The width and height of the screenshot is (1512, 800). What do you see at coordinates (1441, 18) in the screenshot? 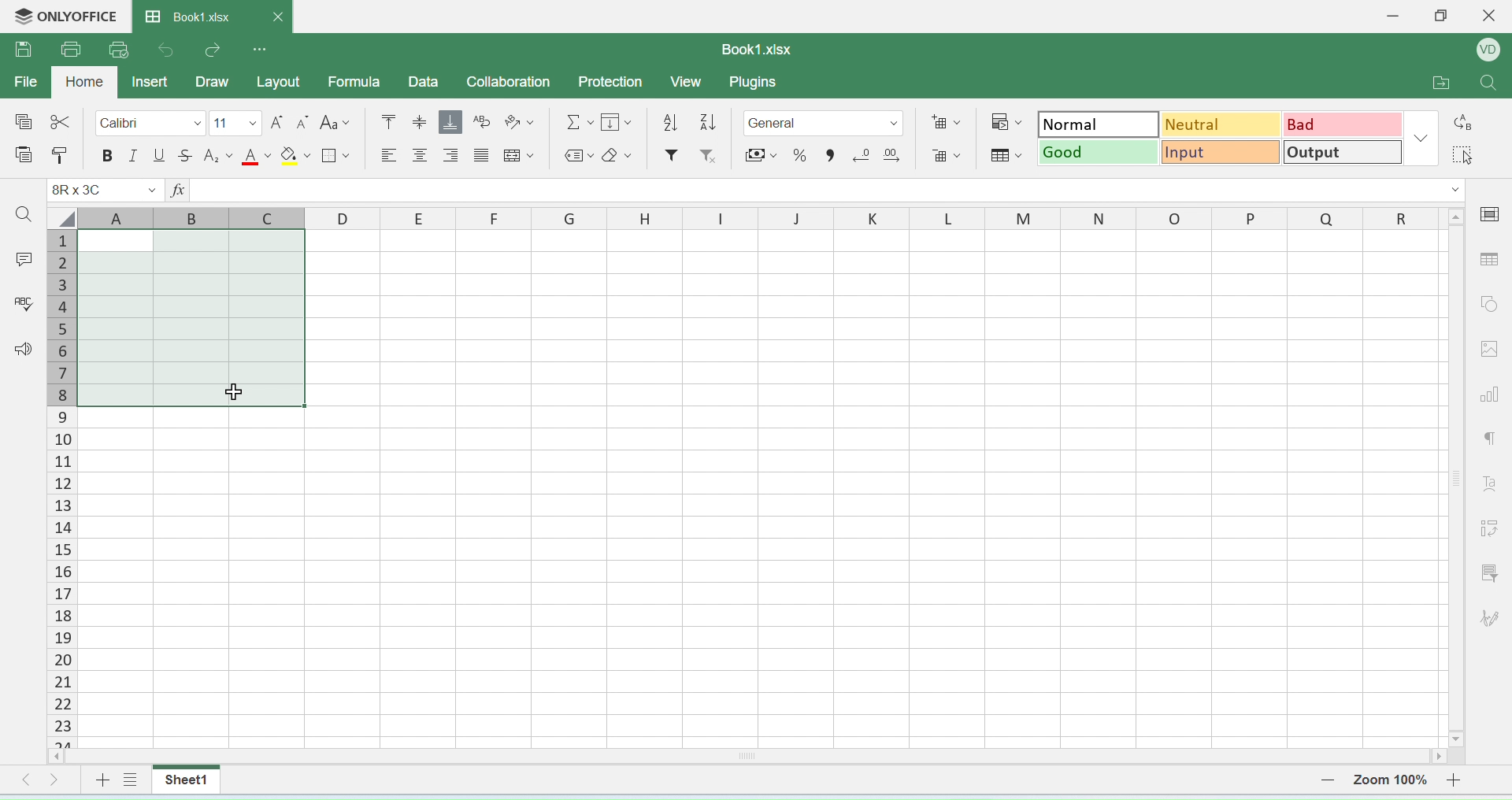
I see `restore` at bounding box center [1441, 18].